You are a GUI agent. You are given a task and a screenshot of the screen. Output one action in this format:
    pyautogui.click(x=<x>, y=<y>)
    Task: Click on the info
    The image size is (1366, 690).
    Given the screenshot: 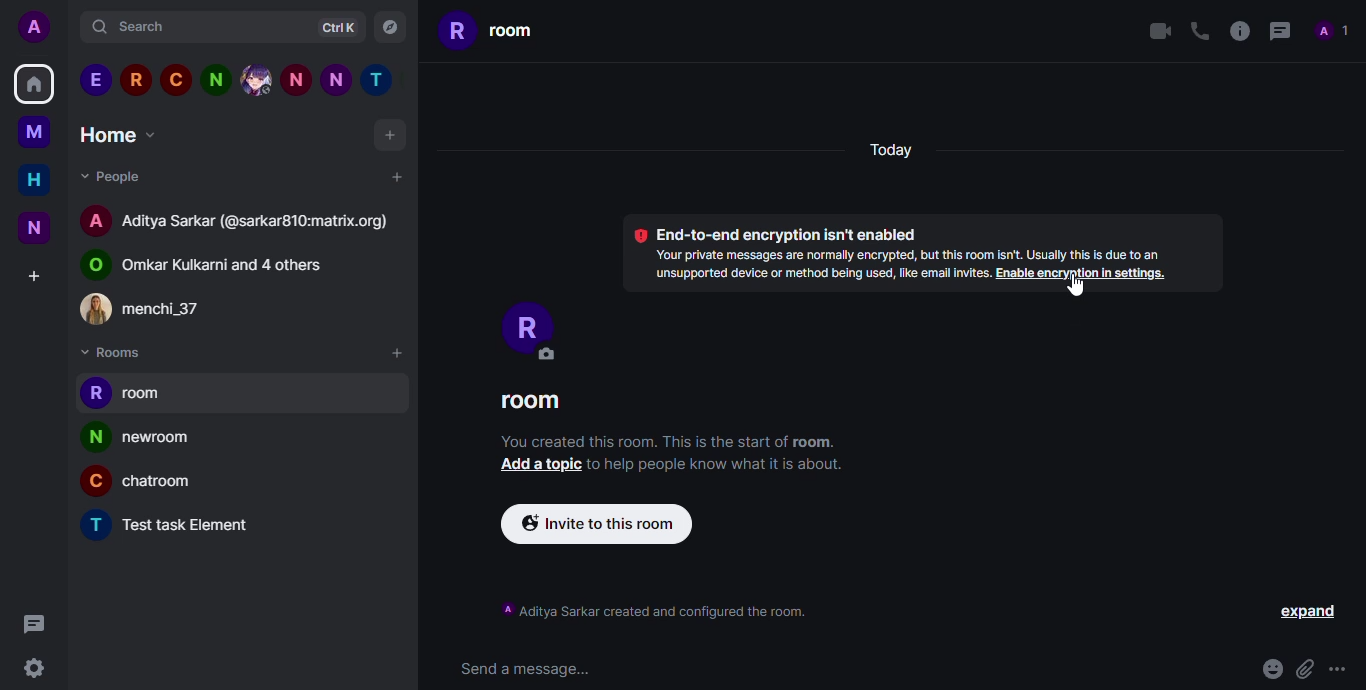 What is the action you would take?
    pyautogui.click(x=1238, y=29)
    